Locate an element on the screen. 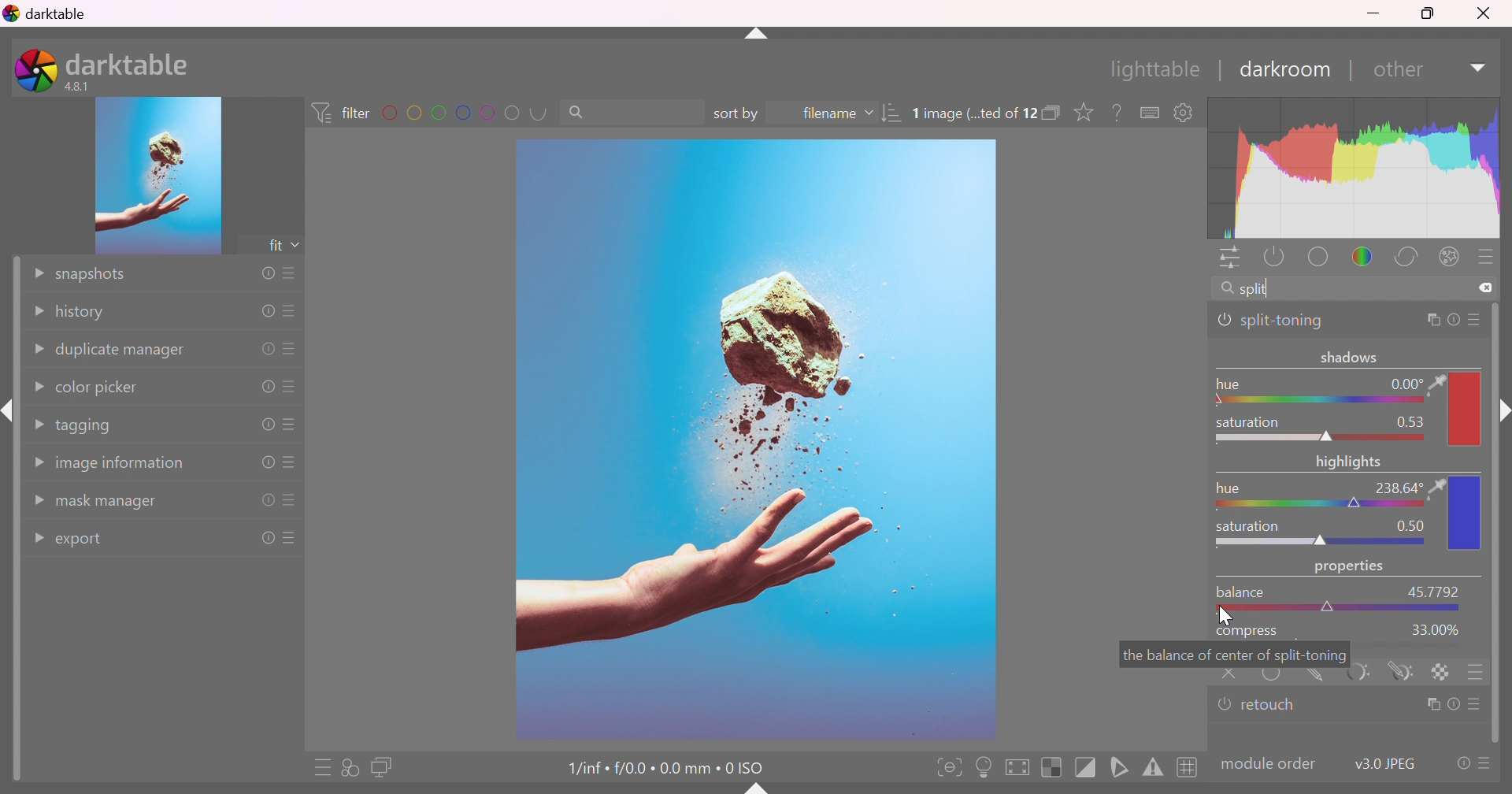 This screenshot has height=794, width=1512. presets is located at coordinates (292, 311).